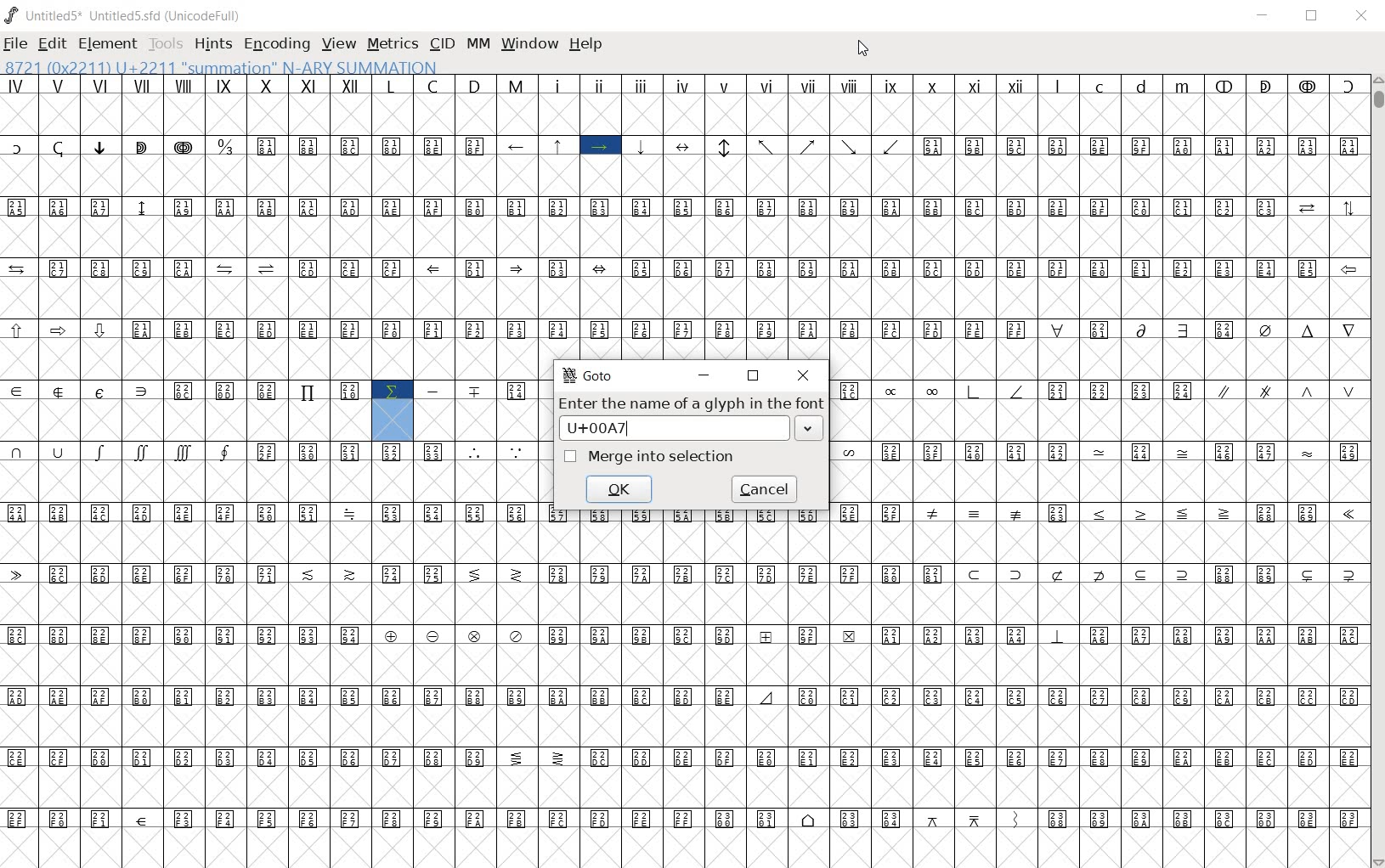  I want to click on special symbols, so click(683, 573).